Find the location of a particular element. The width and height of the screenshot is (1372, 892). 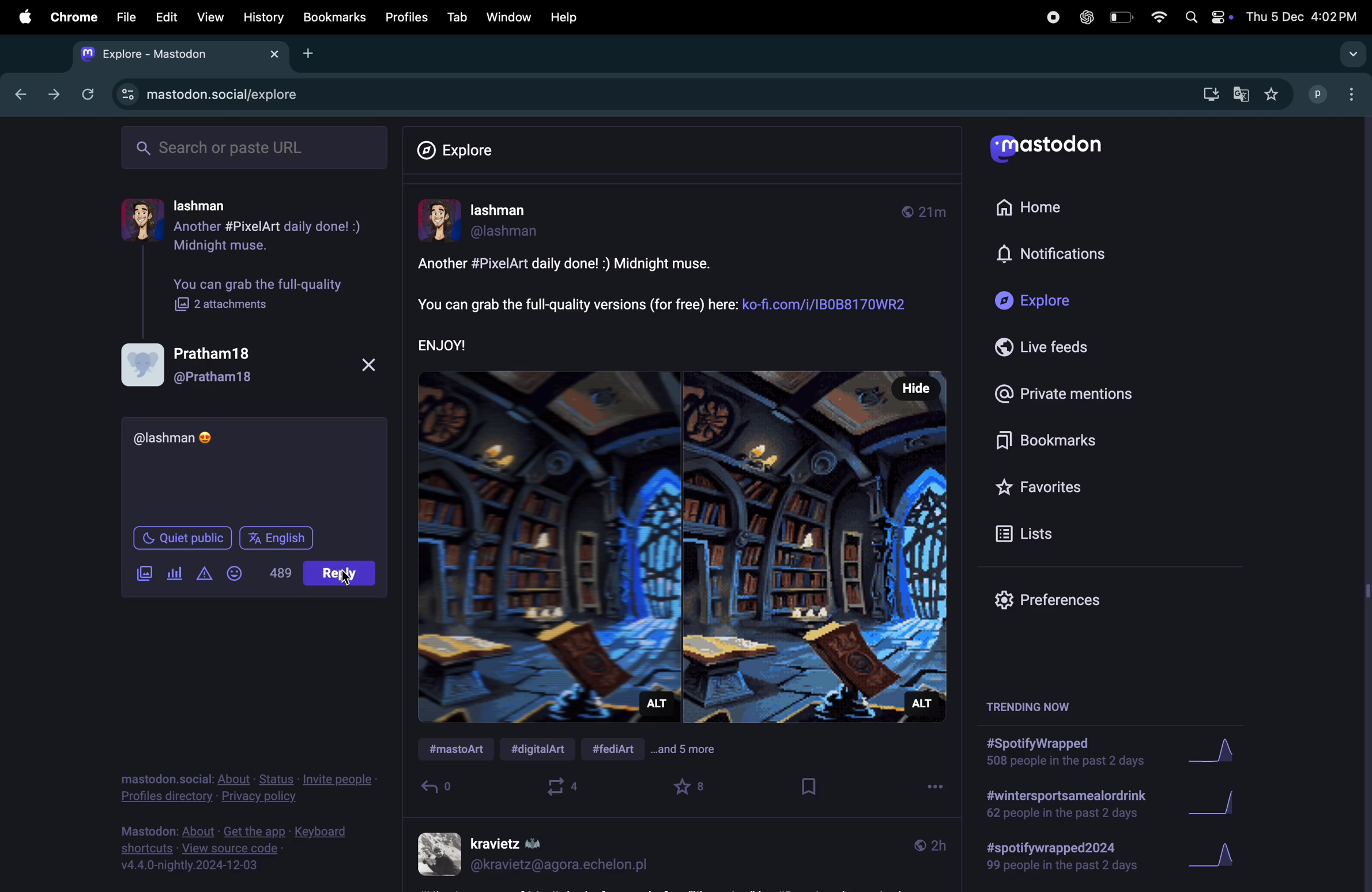

Home is located at coordinates (1051, 211).